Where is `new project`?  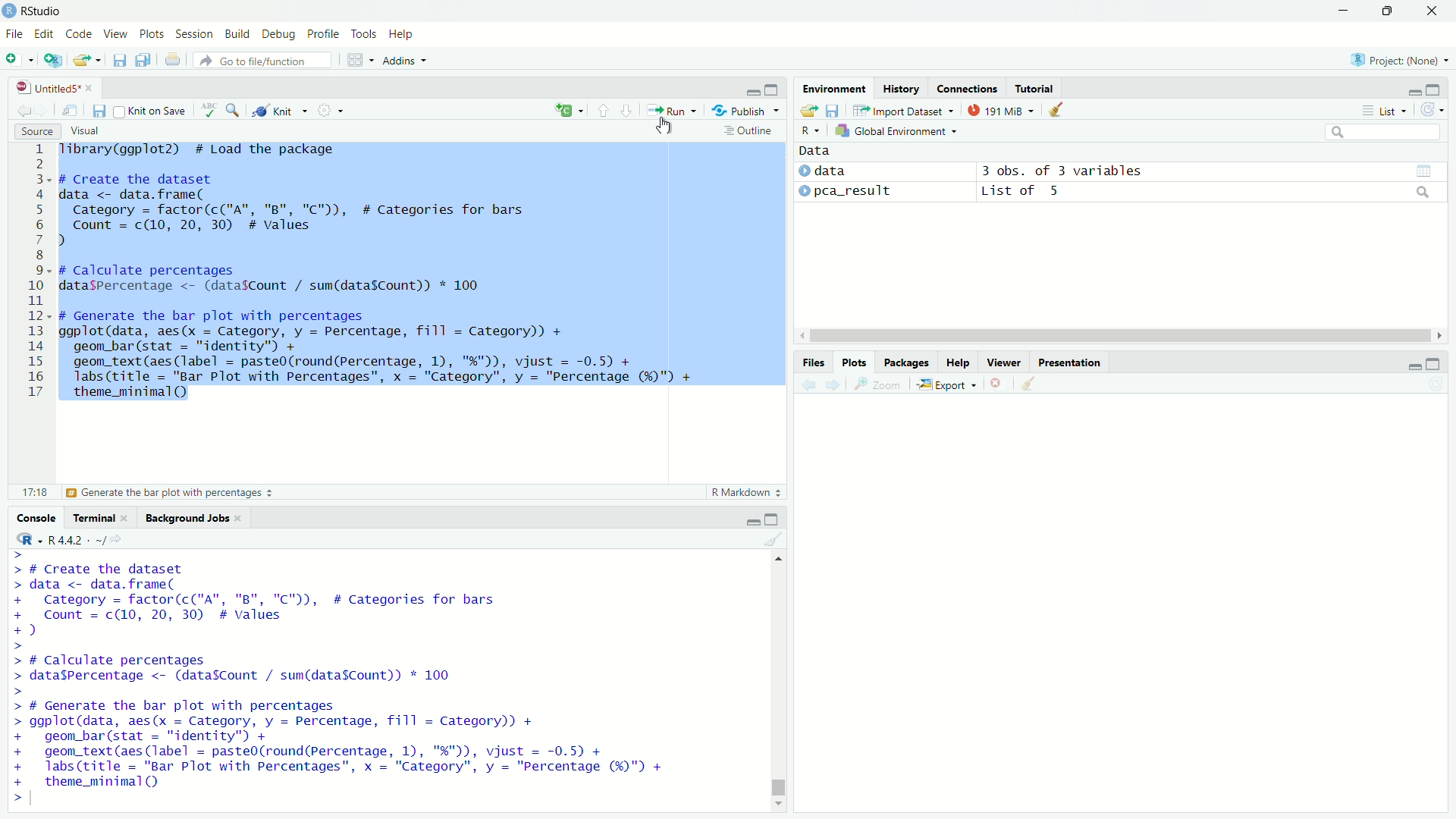 new project is located at coordinates (52, 61).